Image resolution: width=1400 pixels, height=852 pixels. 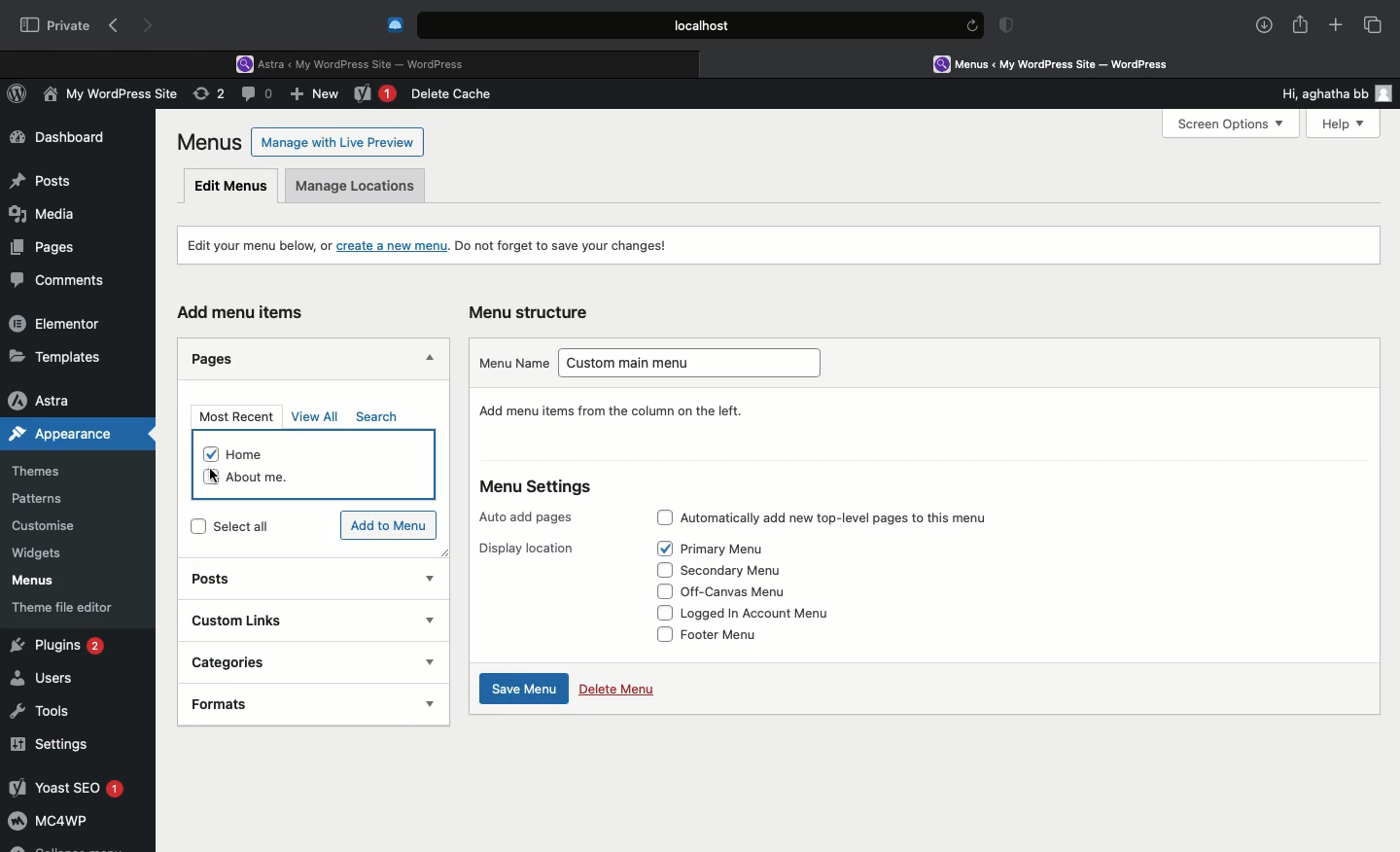 I want to click on Check box, so click(x=659, y=591).